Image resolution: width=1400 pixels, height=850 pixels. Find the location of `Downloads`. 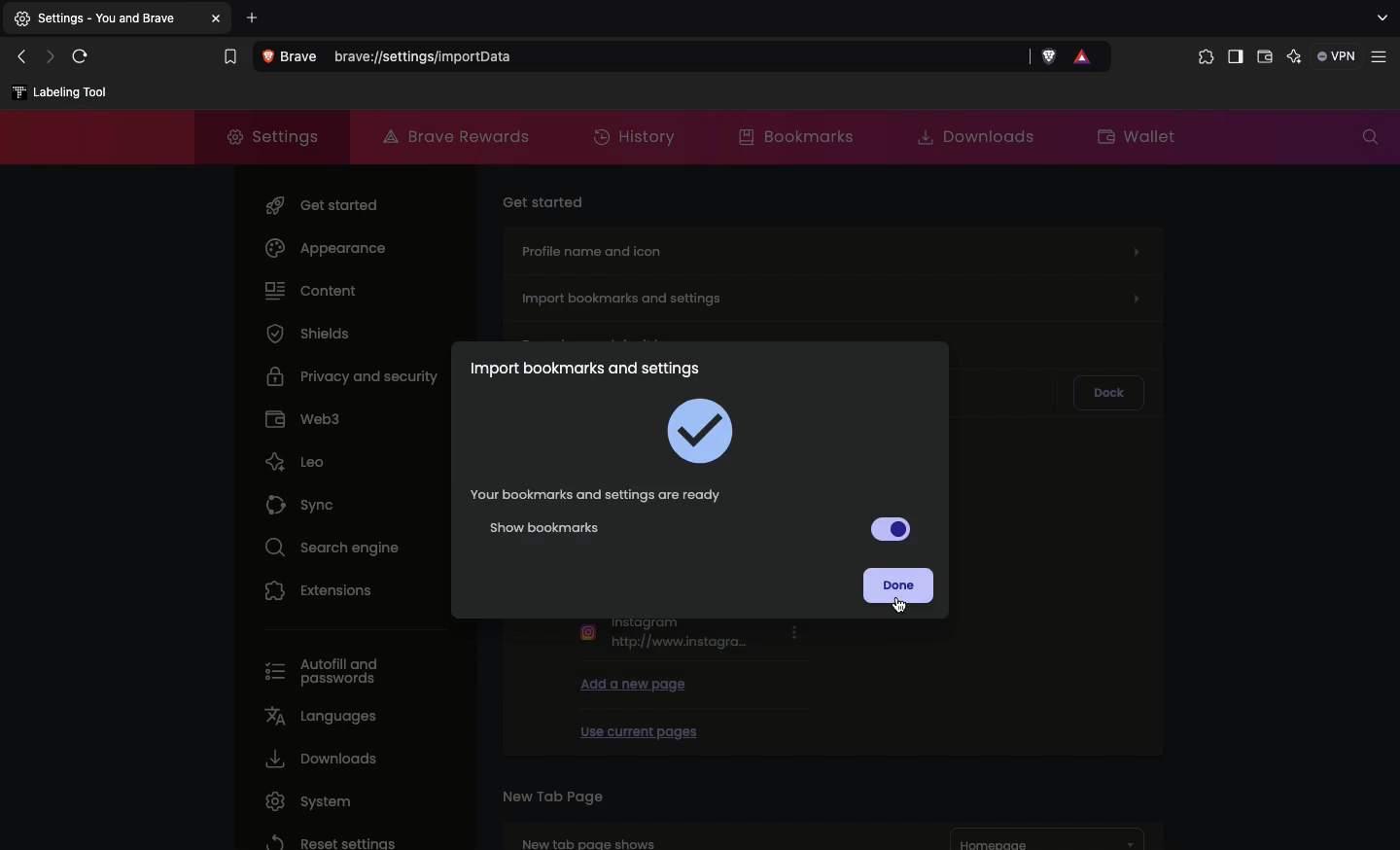

Downloads is located at coordinates (968, 135).